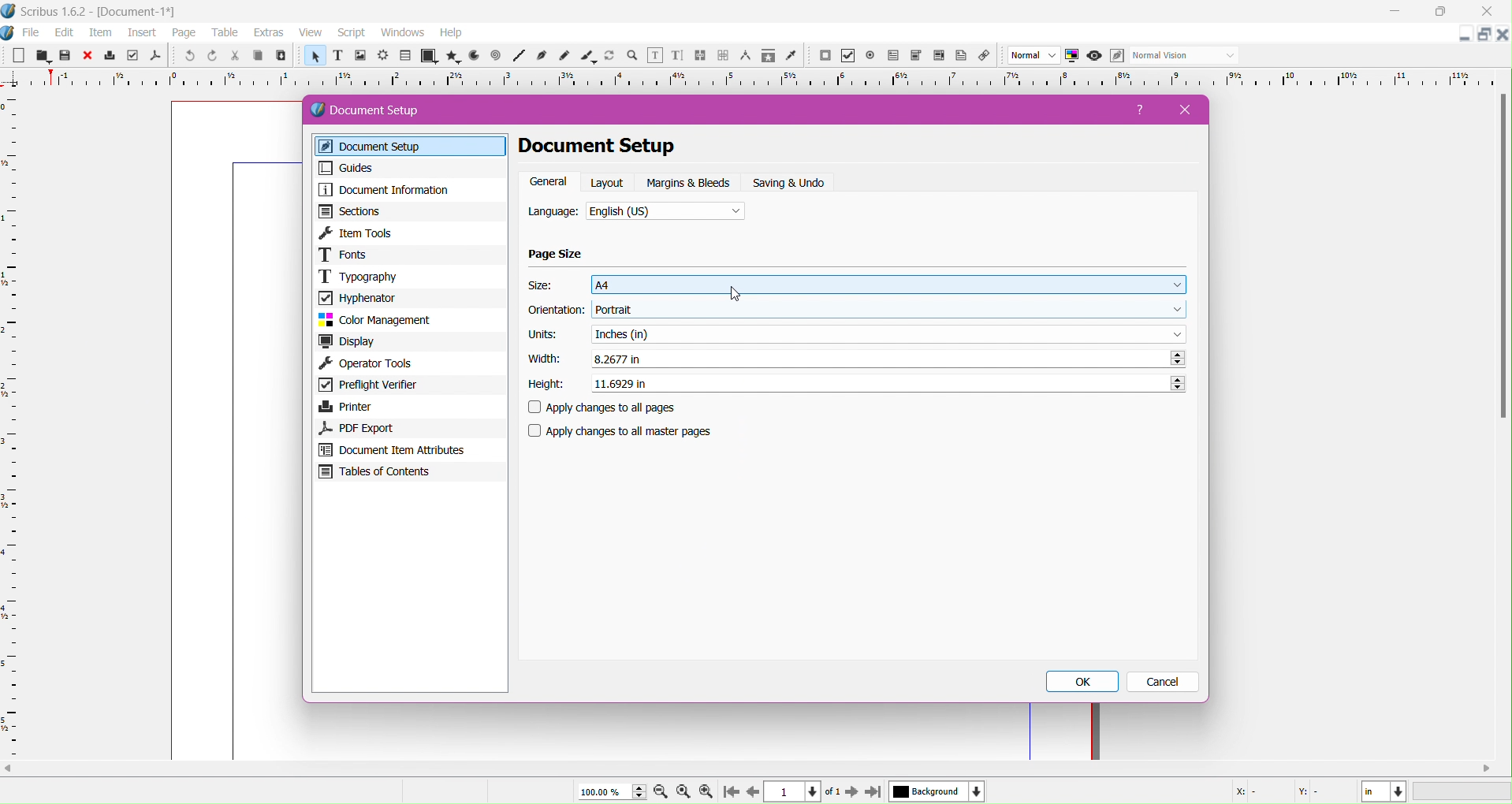  What do you see at coordinates (1085, 682) in the screenshot?
I see `OK` at bounding box center [1085, 682].